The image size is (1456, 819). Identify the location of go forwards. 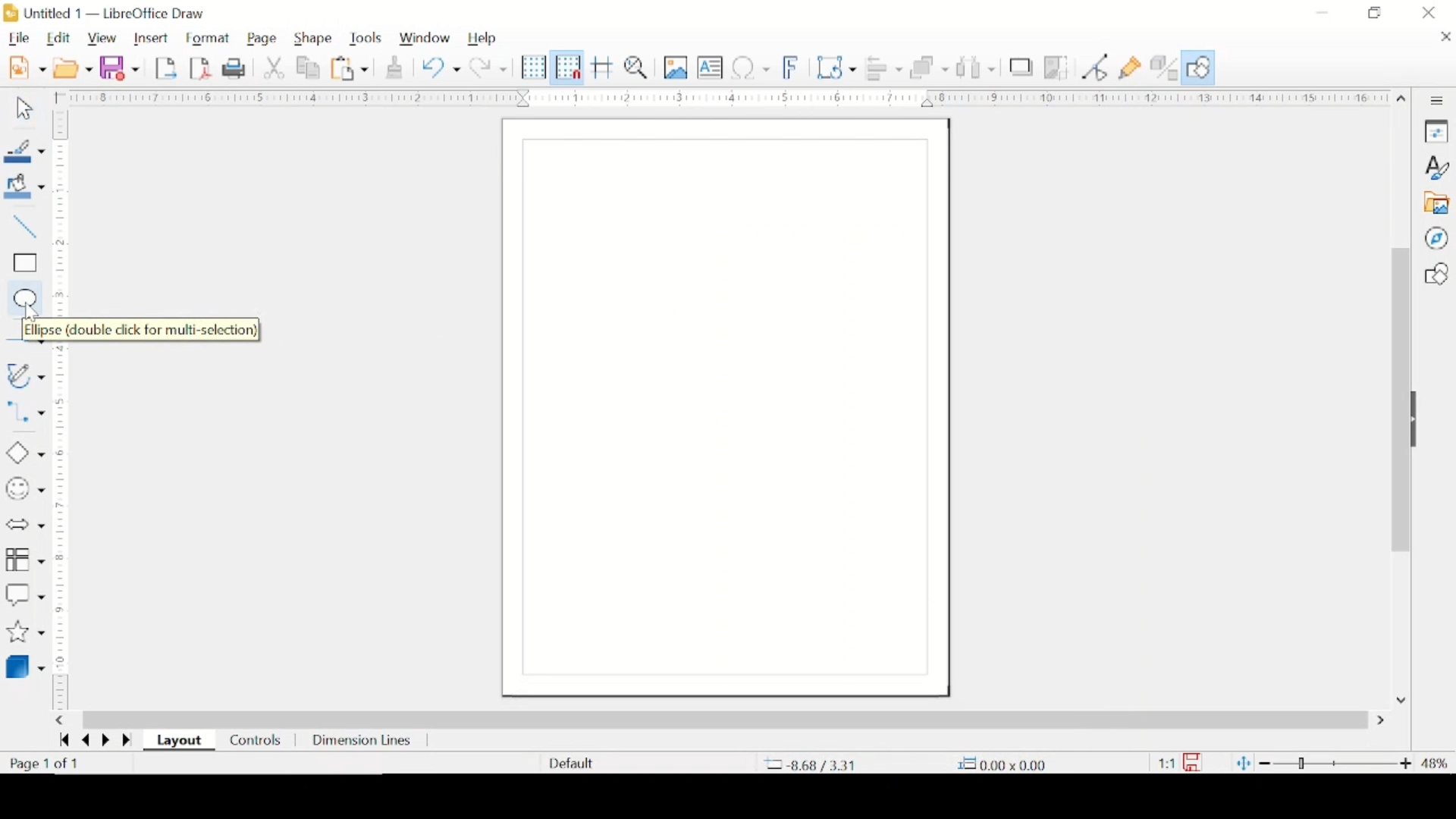
(125, 741).